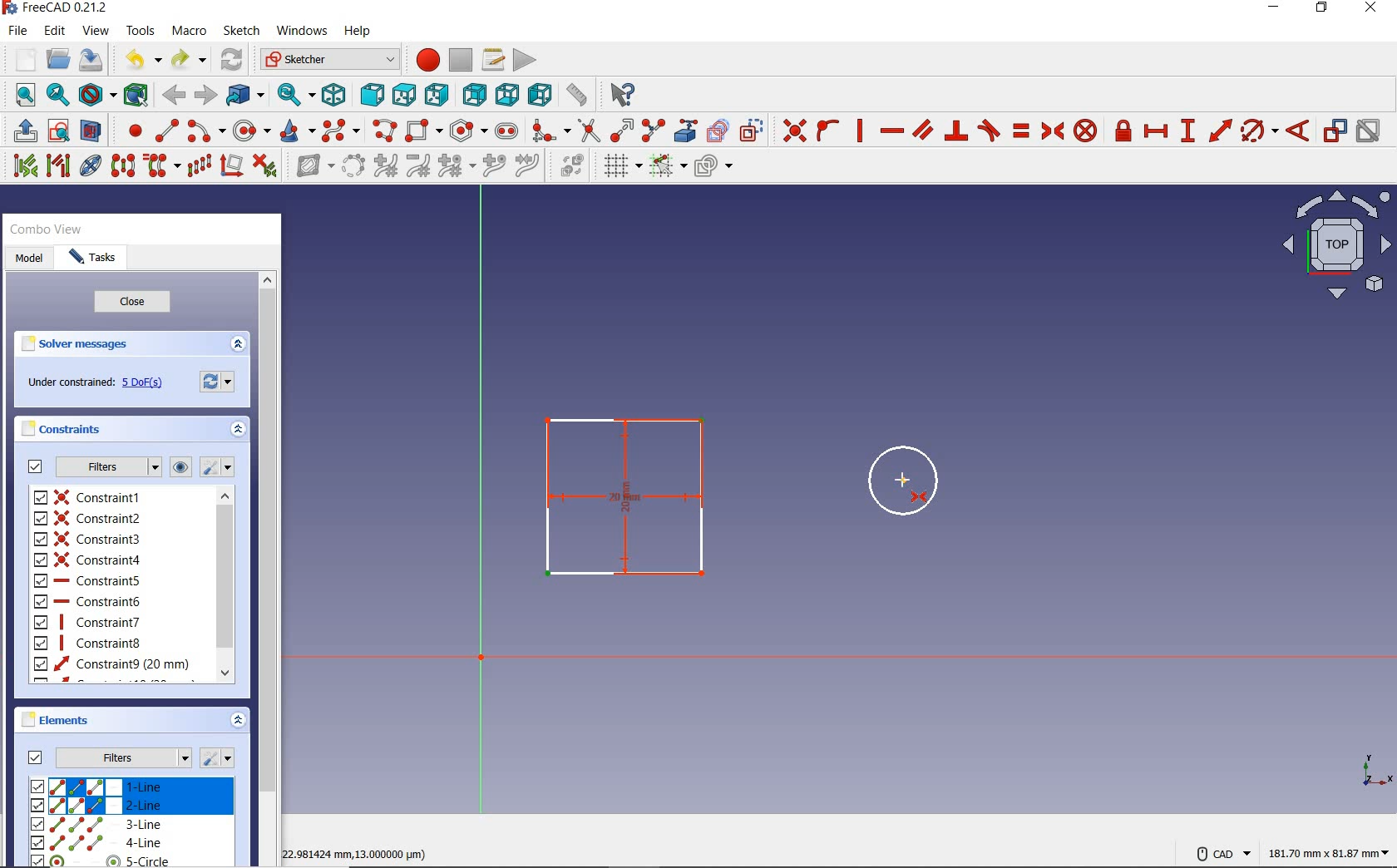 Image resolution: width=1397 pixels, height=868 pixels. Describe the element at coordinates (827, 131) in the screenshot. I see `constrain point onto object` at that location.